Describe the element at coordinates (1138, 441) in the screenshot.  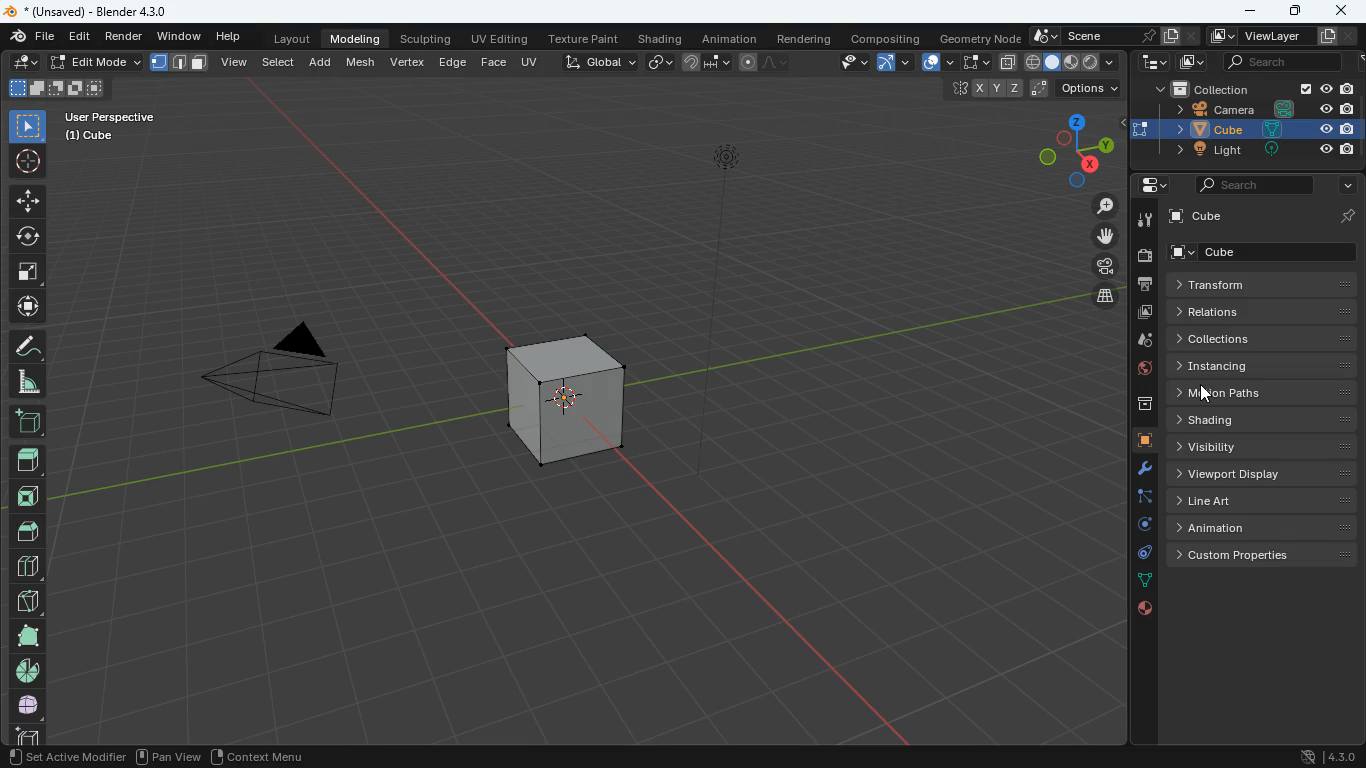
I see `cube` at that location.